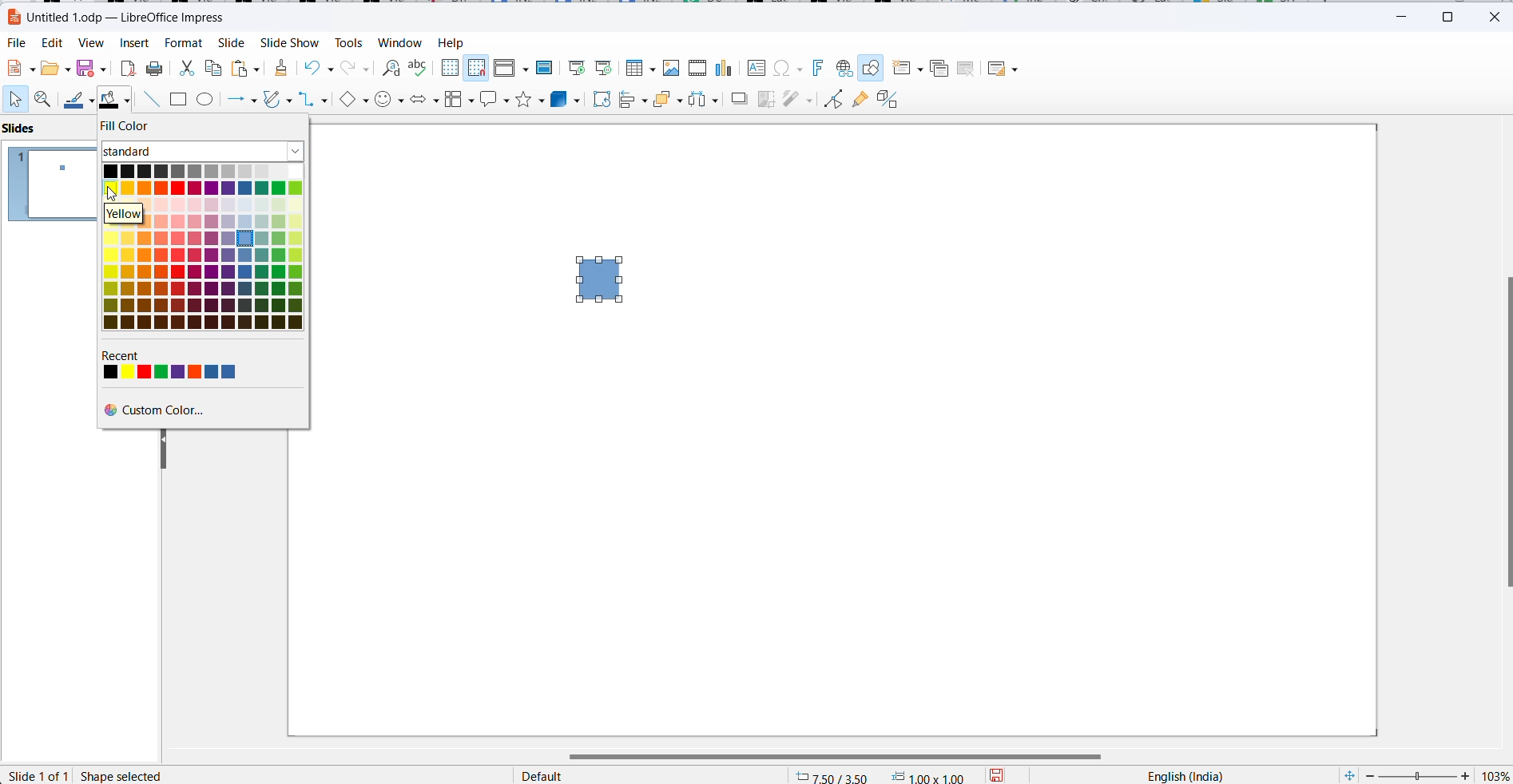 The image size is (1513, 784). What do you see at coordinates (419, 68) in the screenshot?
I see `spellings` at bounding box center [419, 68].